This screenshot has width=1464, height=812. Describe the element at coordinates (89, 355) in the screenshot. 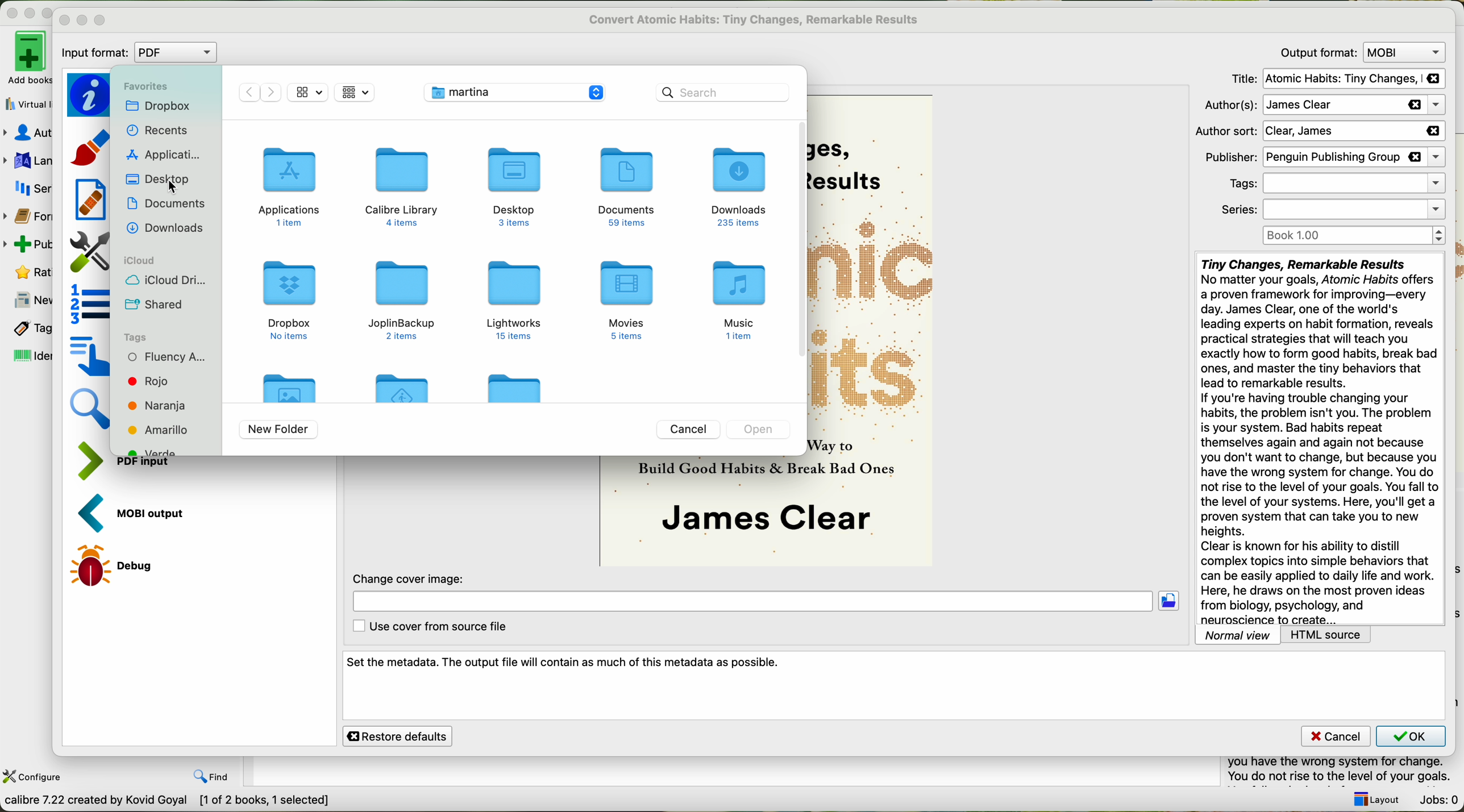

I see `table of contents` at that location.